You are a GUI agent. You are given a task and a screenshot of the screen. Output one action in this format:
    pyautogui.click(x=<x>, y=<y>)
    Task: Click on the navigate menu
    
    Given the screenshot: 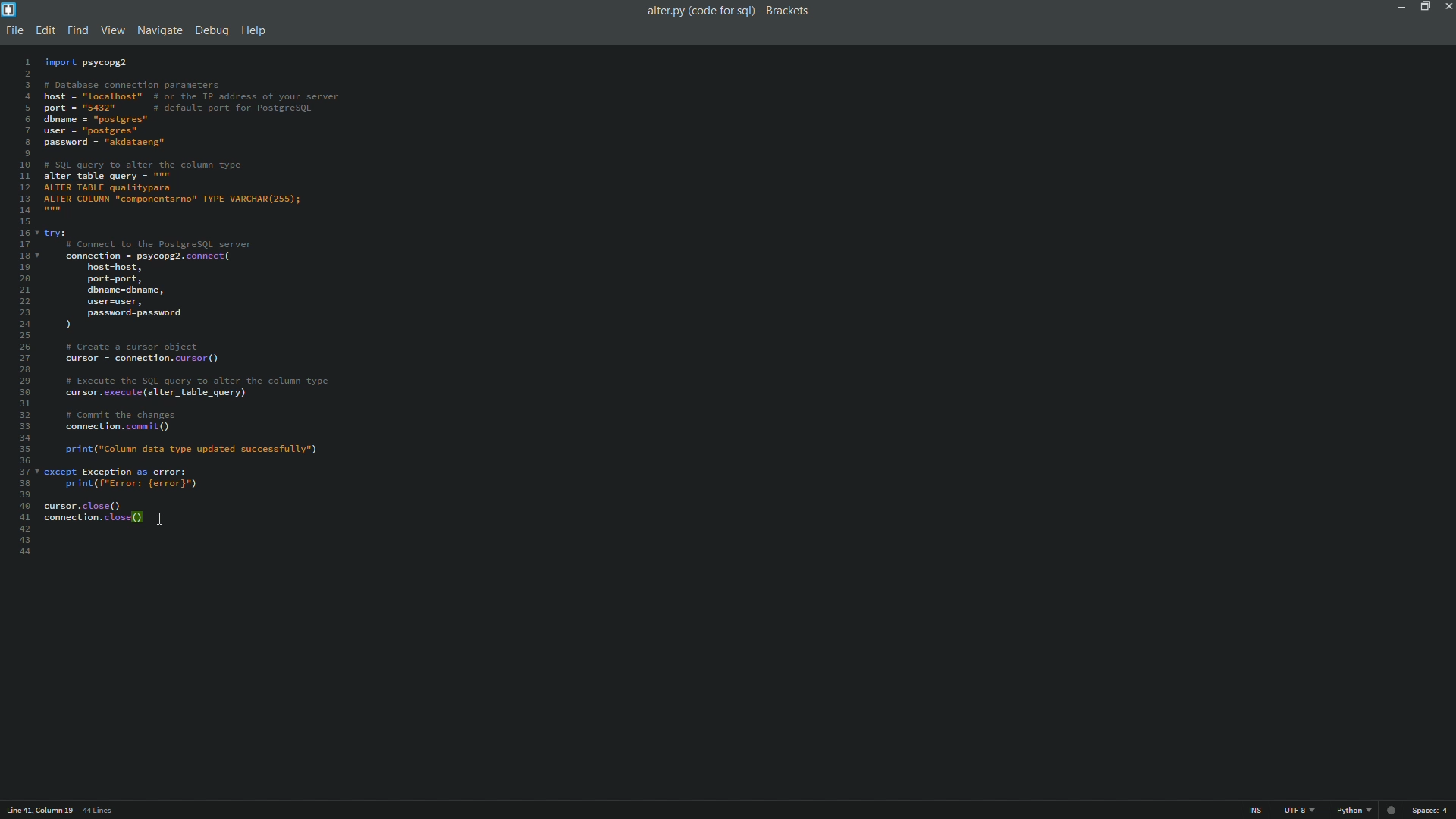 What is the action you would take?
    pyautogui.click(x=158, y=32)
    